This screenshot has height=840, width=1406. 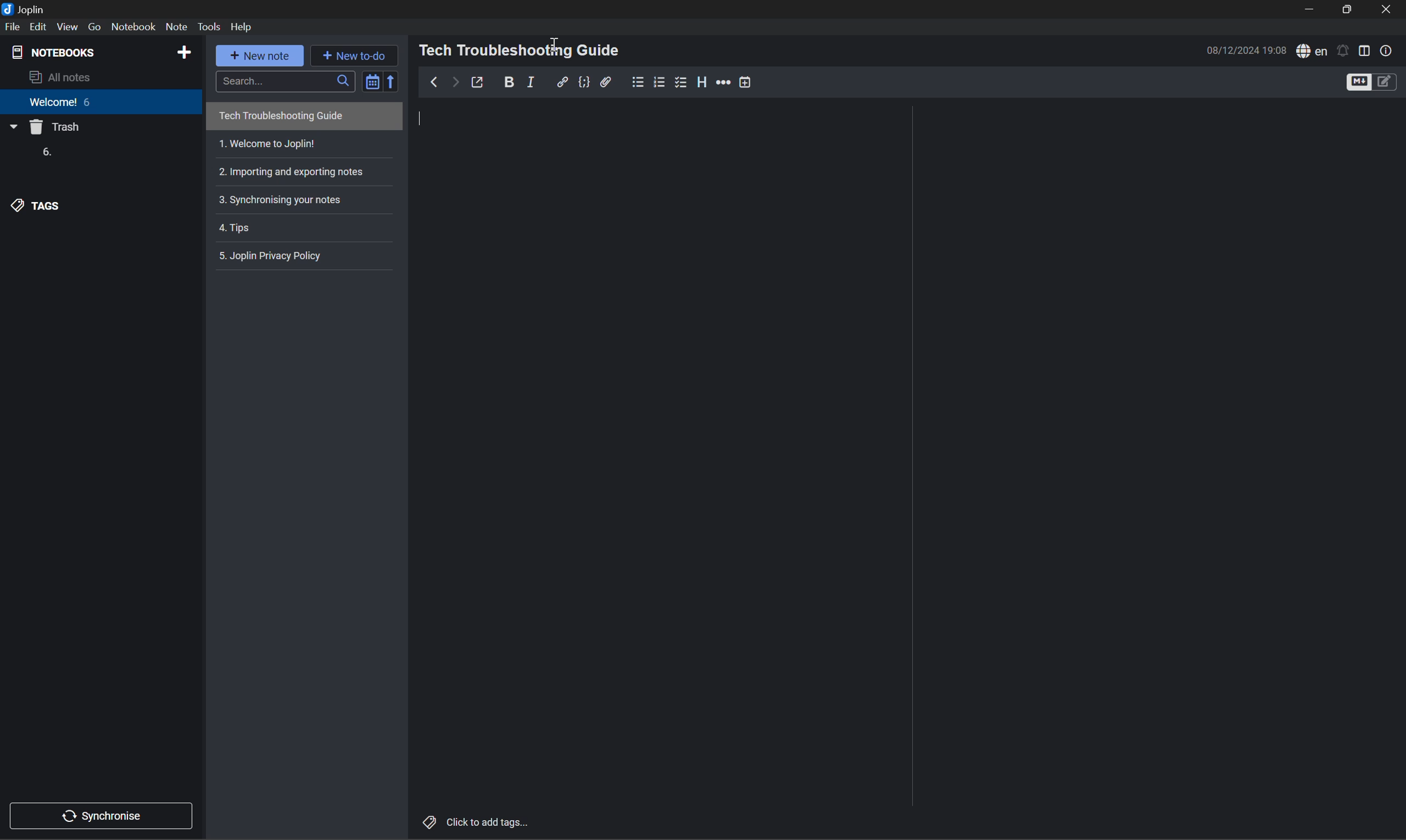 What do you see at coordinates (723, 82) in the screenshot?
I see `More` at bounding box center [723, 82].